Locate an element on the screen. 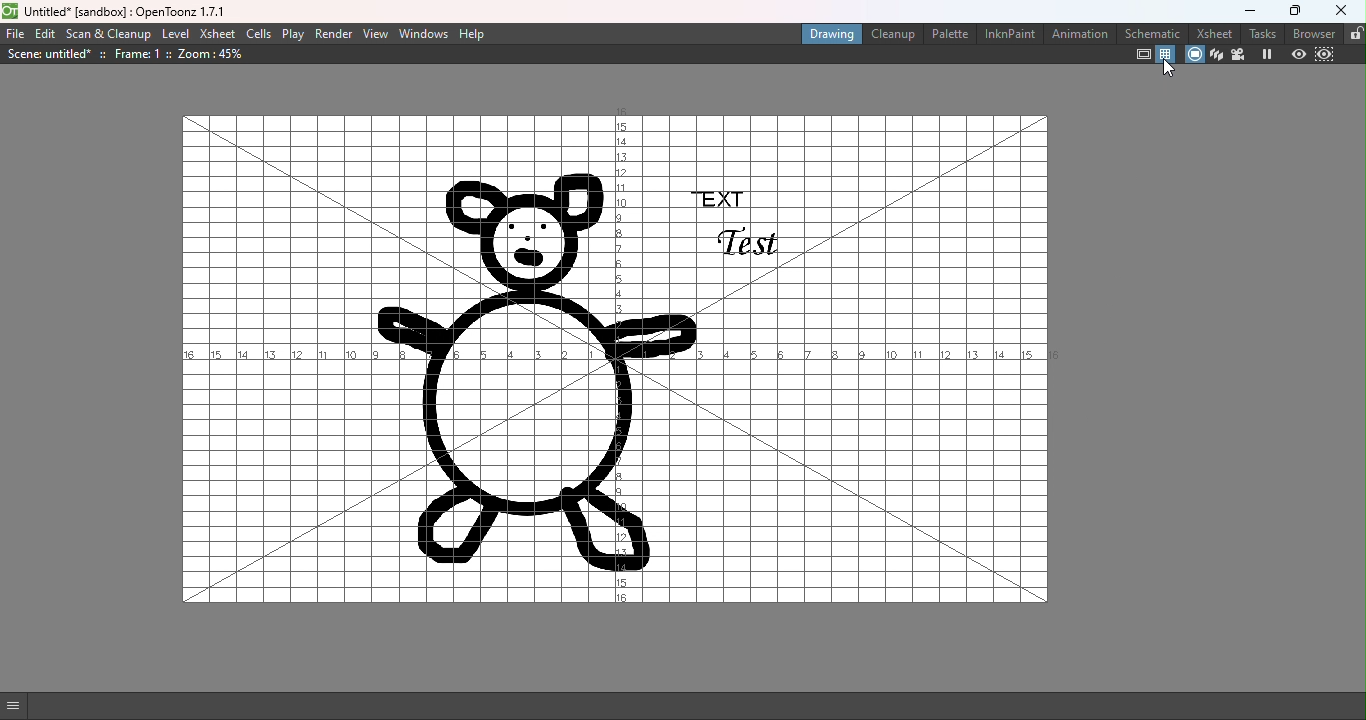  Palette is located at coordinates (949, 34).